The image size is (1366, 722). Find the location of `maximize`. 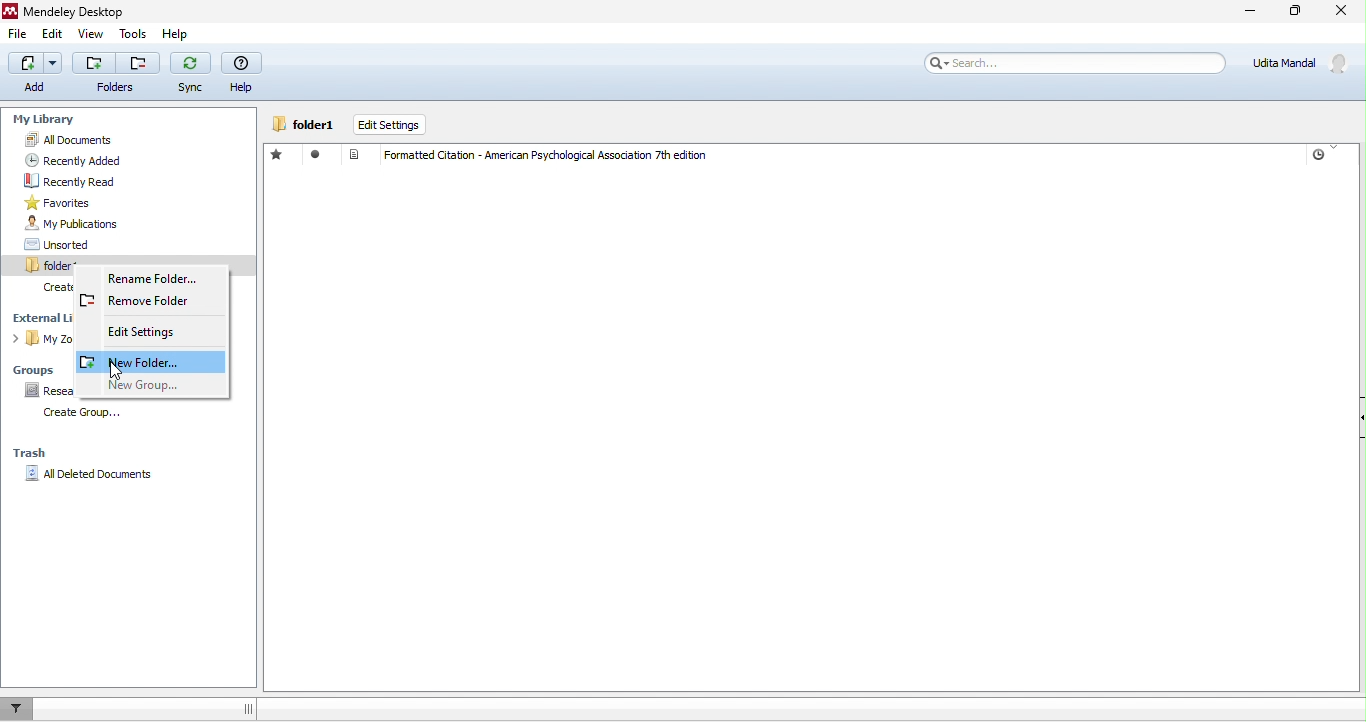

maximize is located at coordinates (1295, 10).